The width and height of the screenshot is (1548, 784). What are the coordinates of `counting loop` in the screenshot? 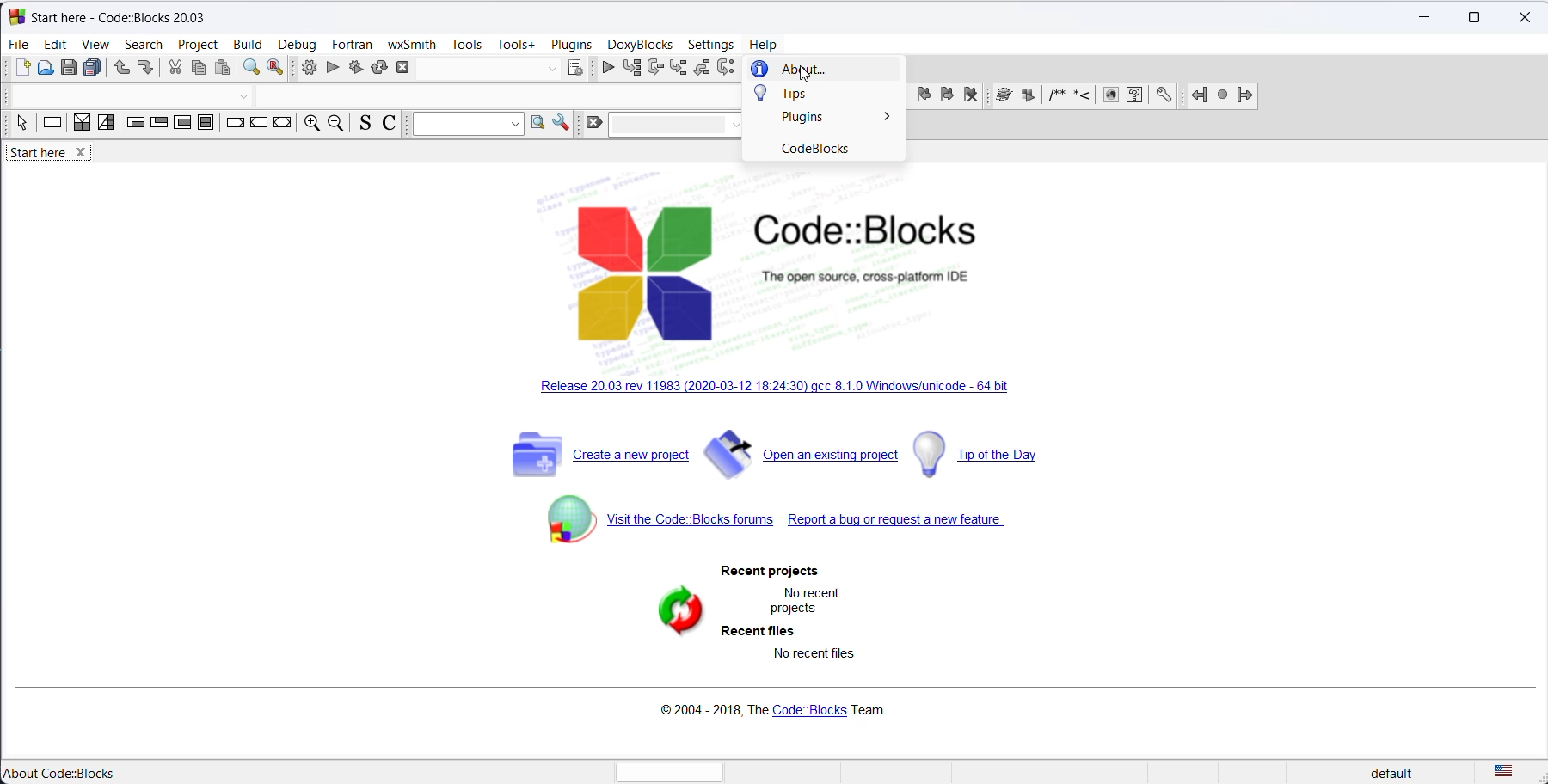 It's located at (183, 126).